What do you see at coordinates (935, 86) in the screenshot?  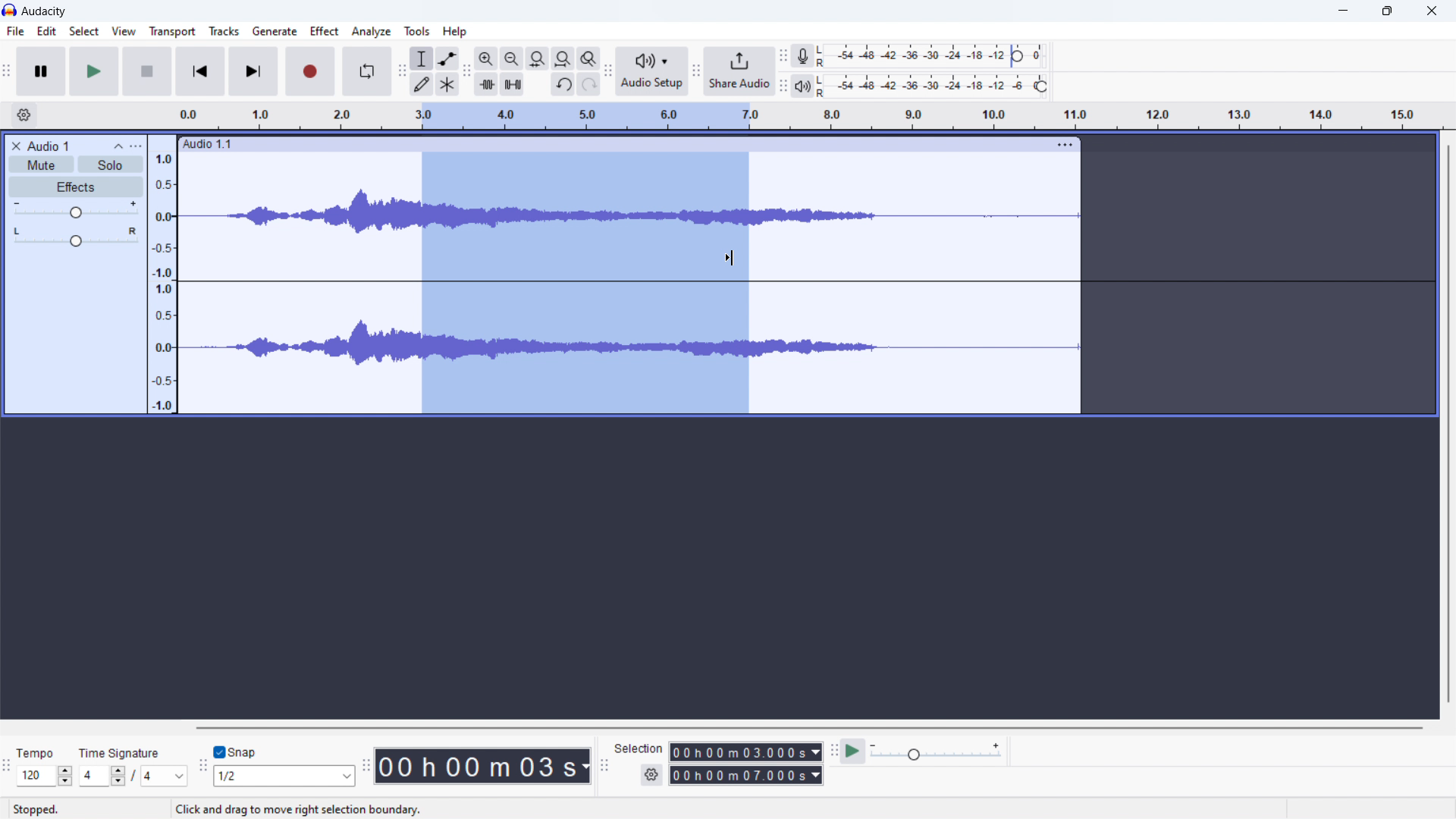 I see `playback level` at bounding box center [935, 86].